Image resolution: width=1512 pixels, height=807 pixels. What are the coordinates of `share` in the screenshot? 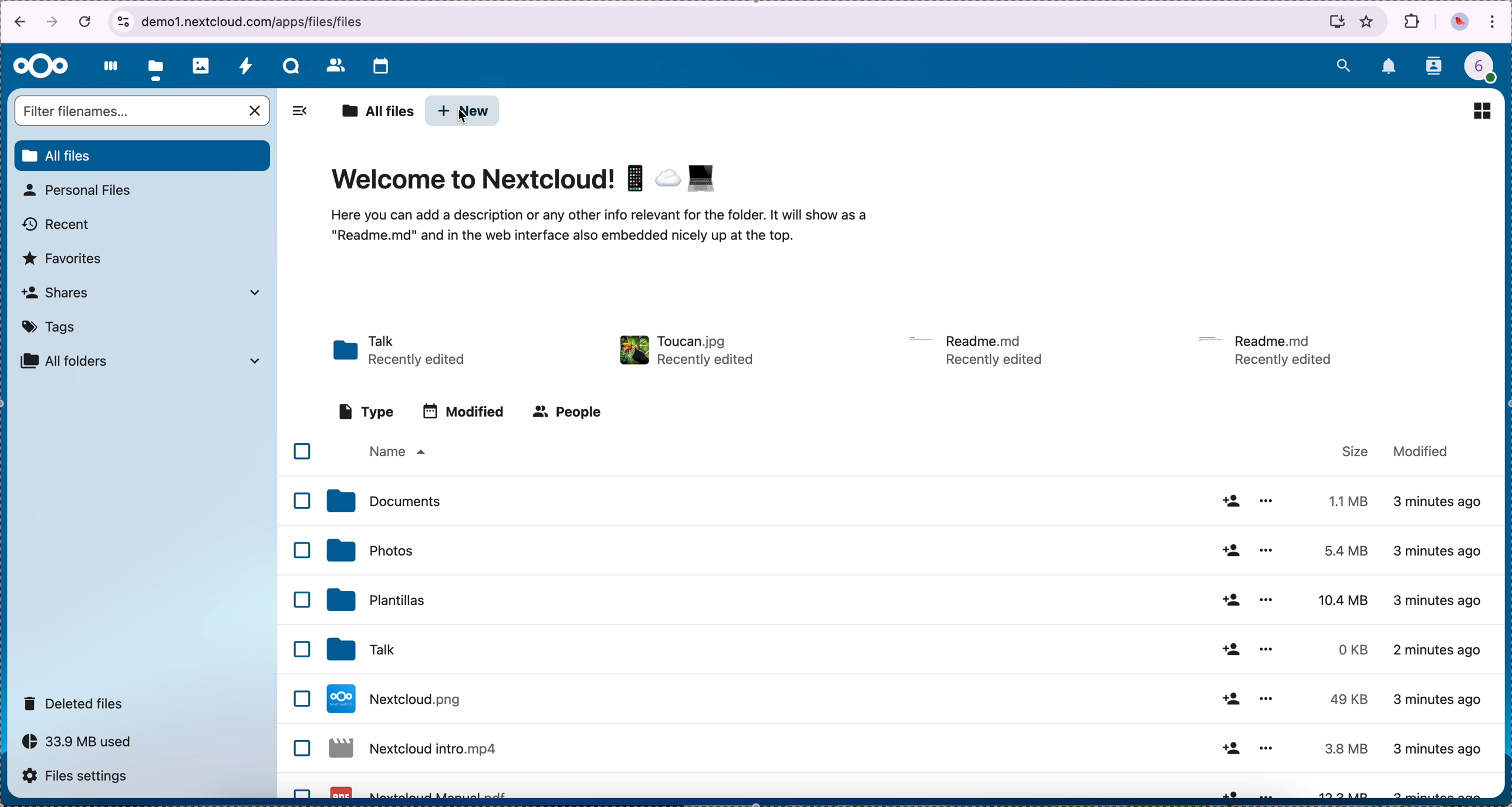 It's located at (1229, 748).